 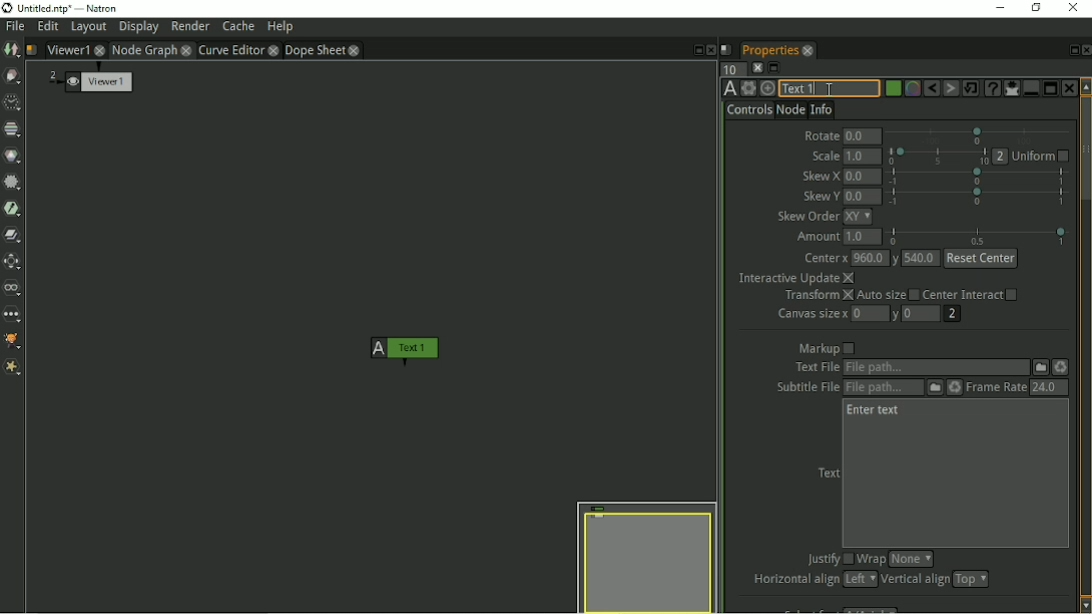 I want to click on Node, so click(x=790, y=110).